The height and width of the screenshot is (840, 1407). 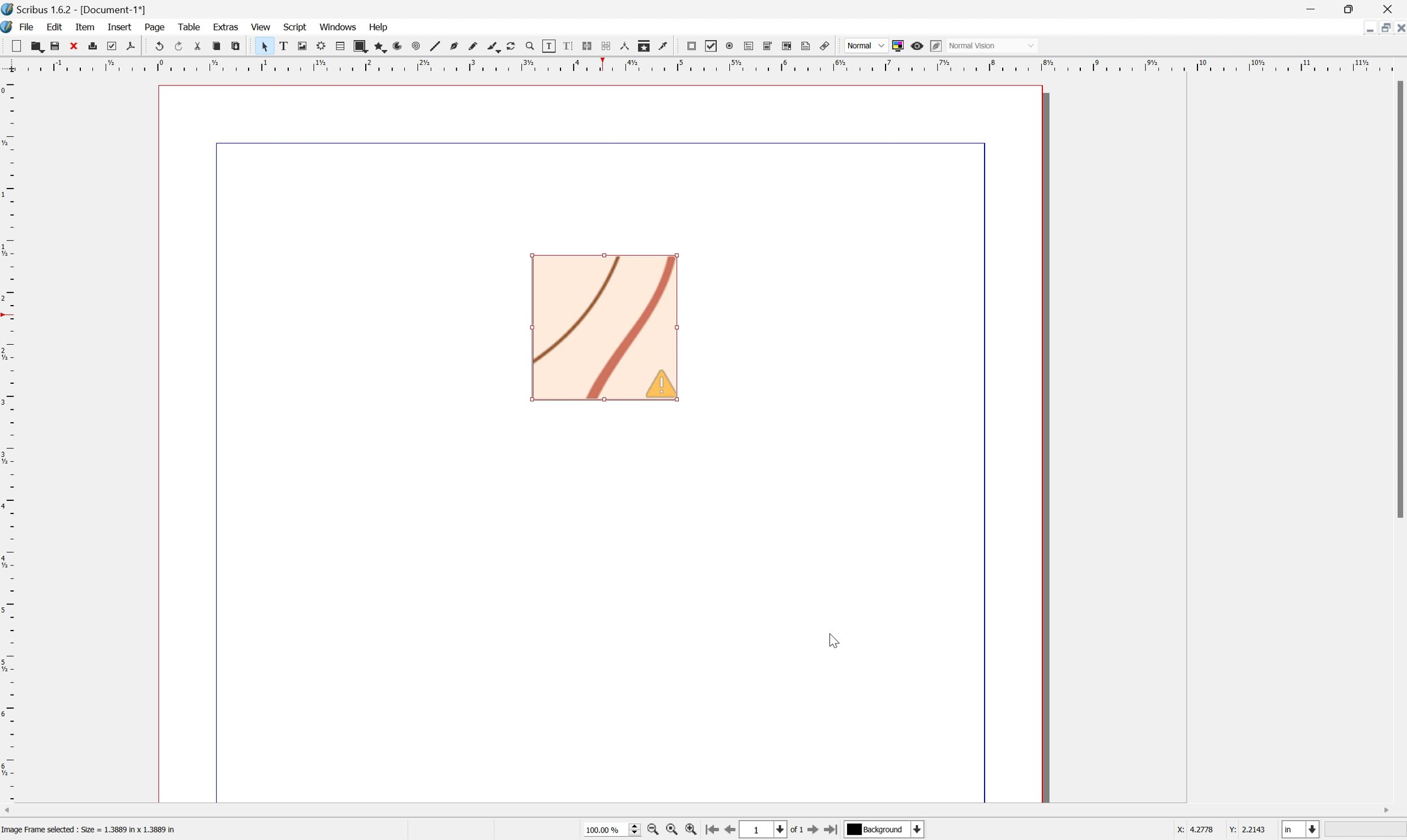 What do you see at coordinates (703, 808) in the screenshot?
I see `Scroll bar` at bounding box center [703, 808].